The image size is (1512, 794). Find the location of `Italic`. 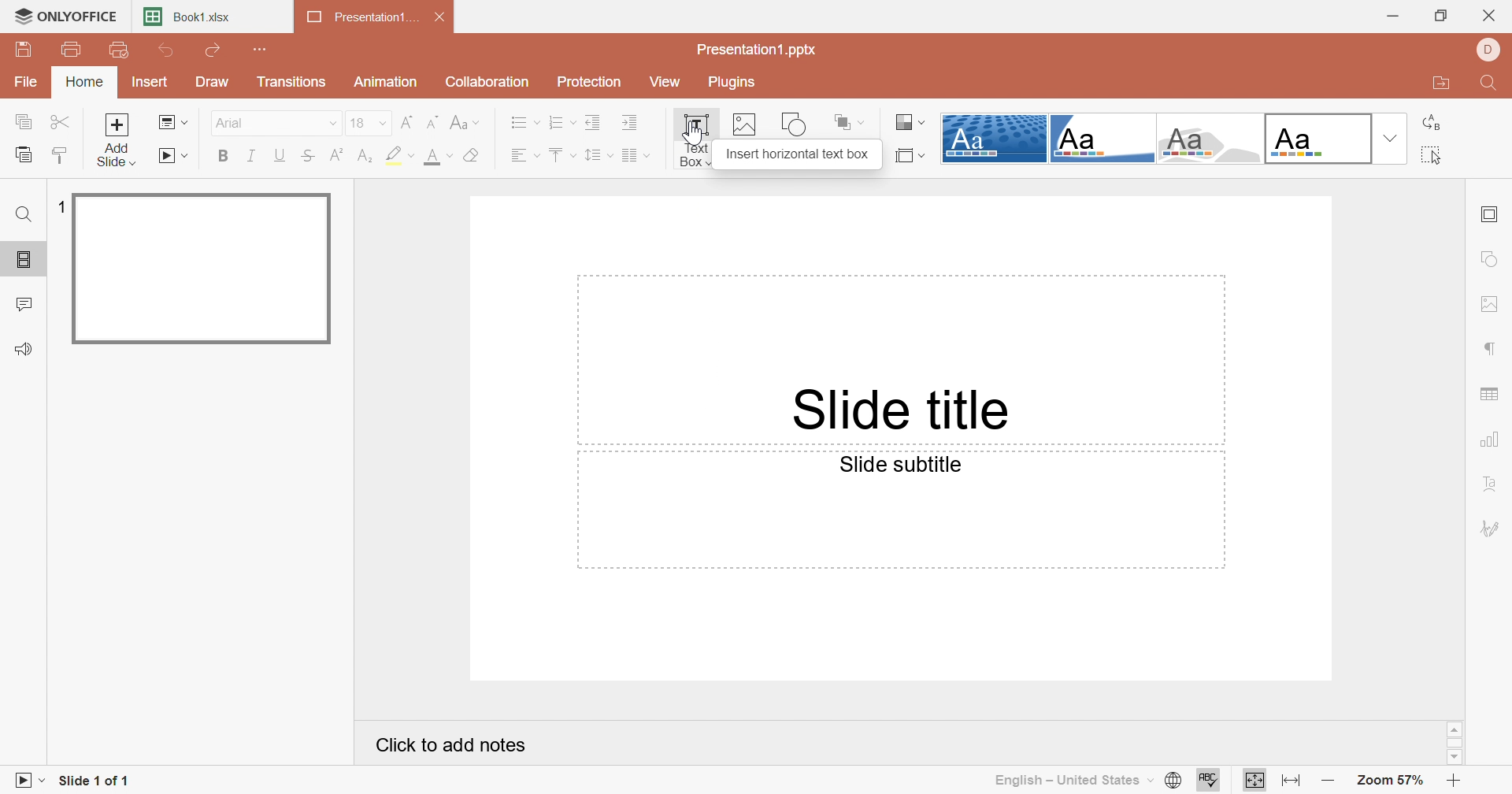

Italic is located at coordinates (254, 156).